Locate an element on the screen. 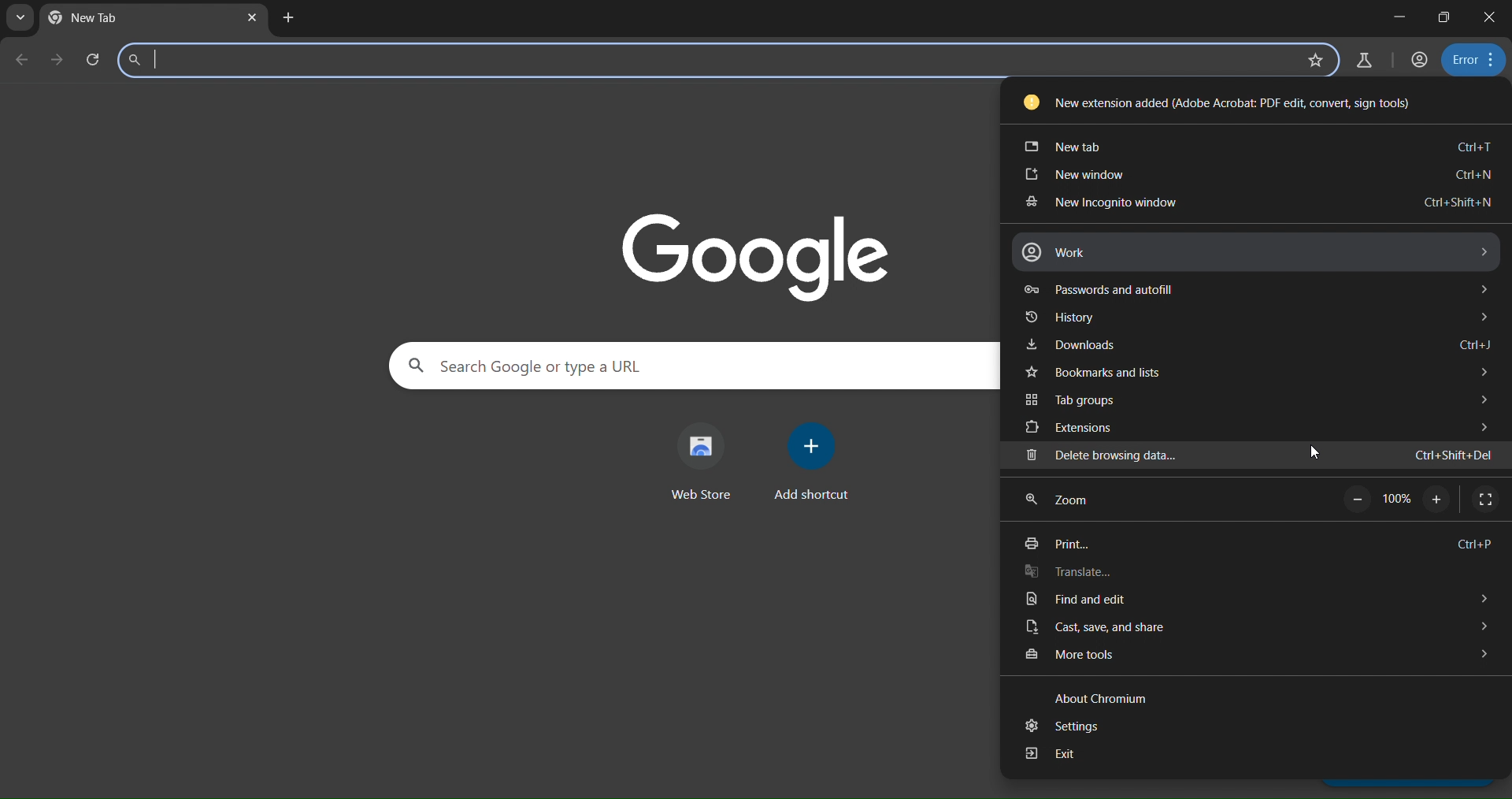 The width and height of the screenshot is (1512, 799). New extension added (Adobe Acrobat: PDF edit, convert, sign tools) is located at coordinates (1216, 99).